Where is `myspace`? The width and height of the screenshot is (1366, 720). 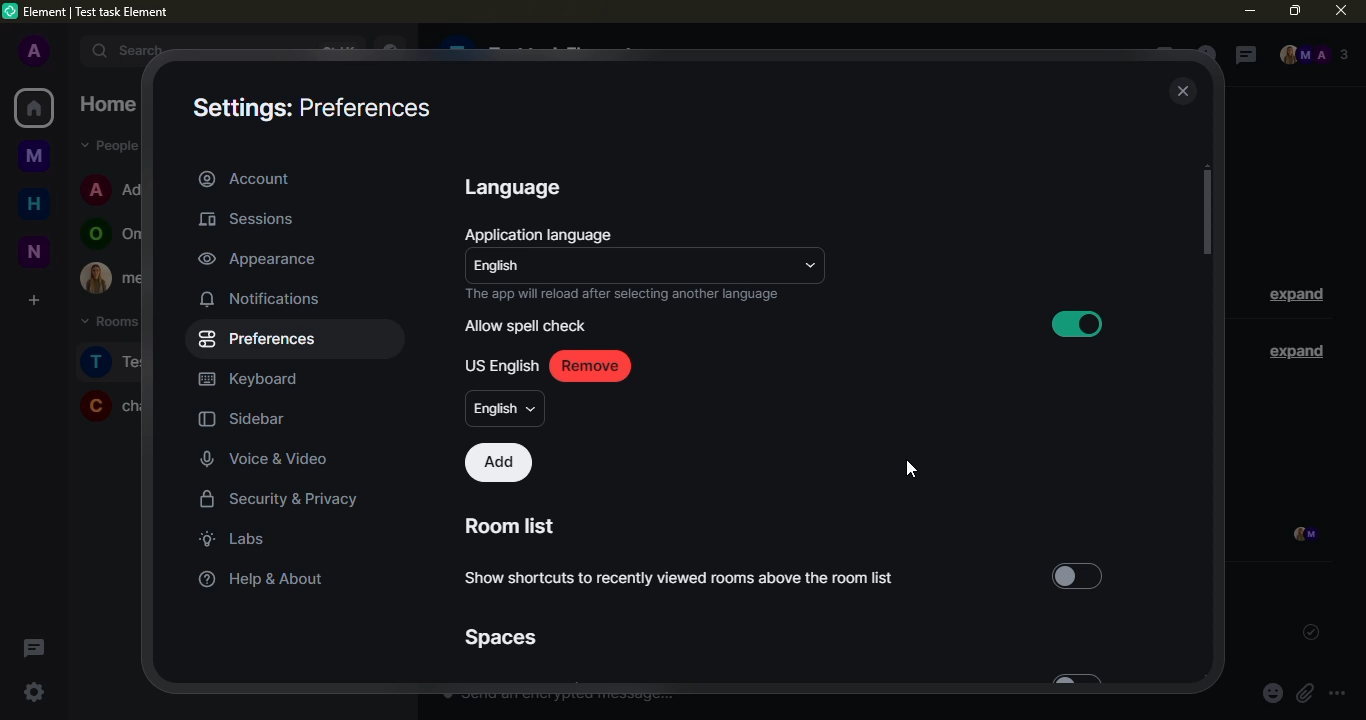
myspace is located at coordinates (35, 154).